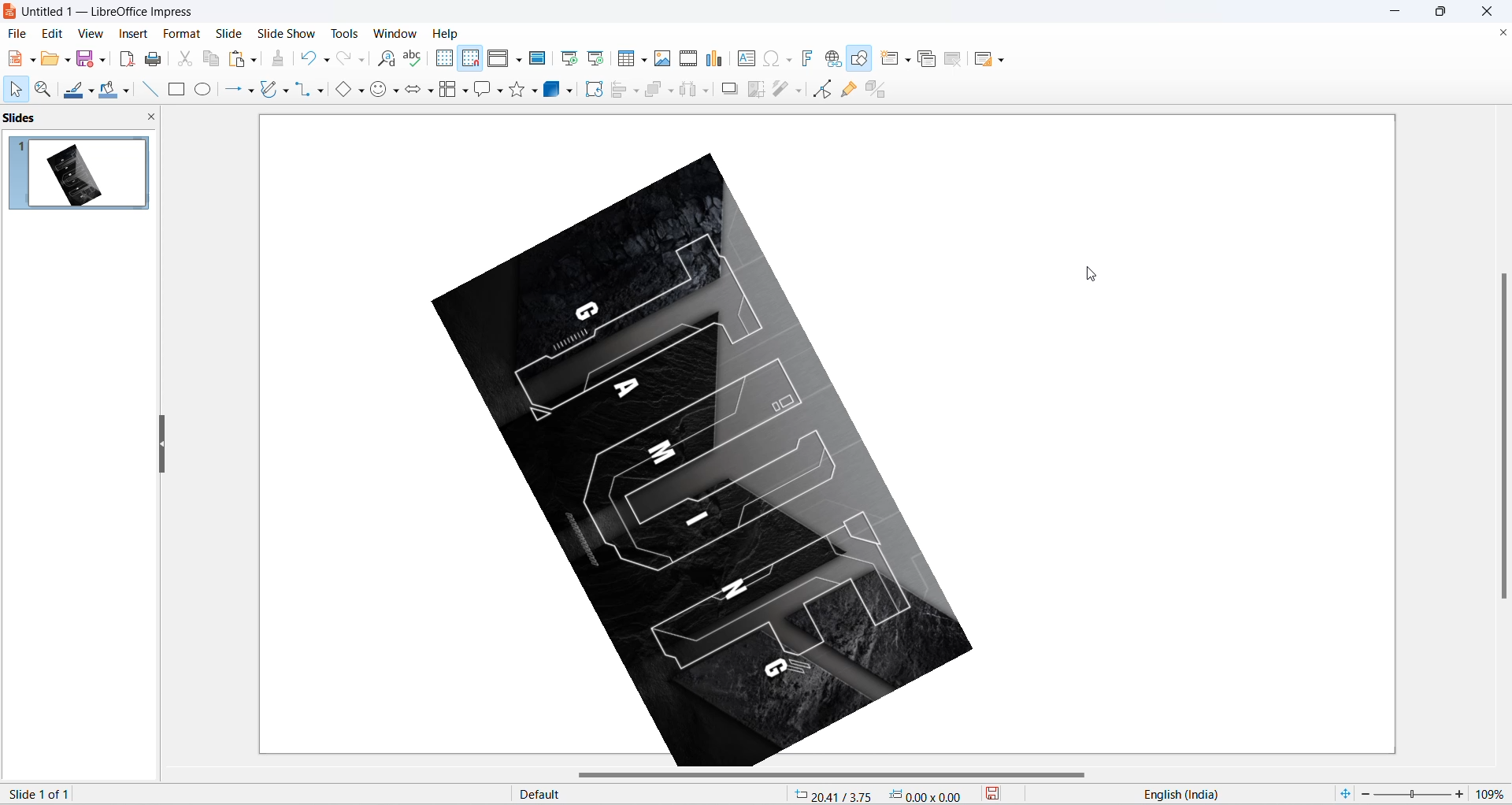  I want to click on paste, so click(239, 59).